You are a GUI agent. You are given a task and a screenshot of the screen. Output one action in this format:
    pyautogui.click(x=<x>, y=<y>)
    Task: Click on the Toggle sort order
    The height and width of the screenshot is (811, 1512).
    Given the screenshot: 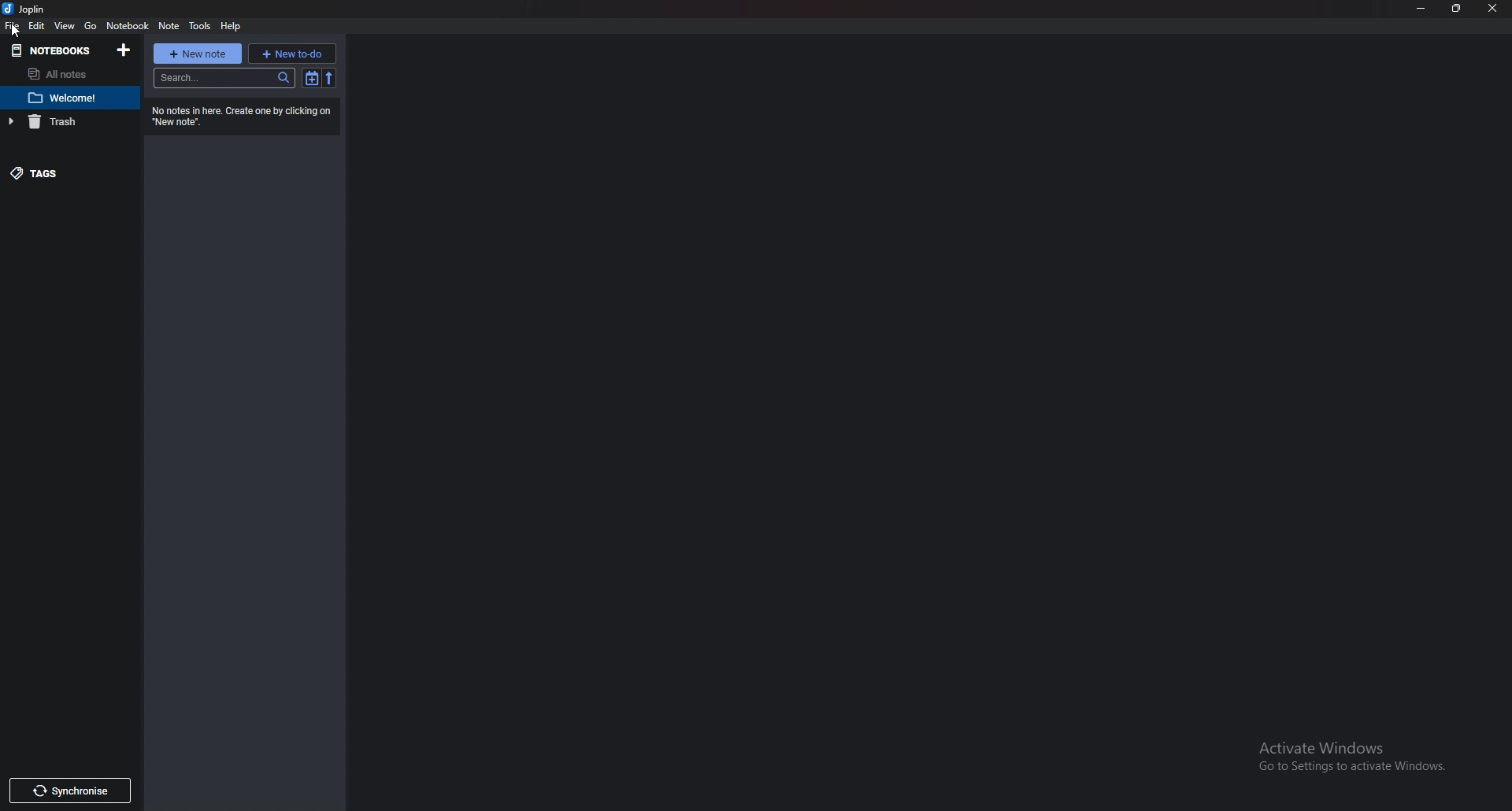 What is the action you would take?
    pyautogui.click(x=313, y=78)
    